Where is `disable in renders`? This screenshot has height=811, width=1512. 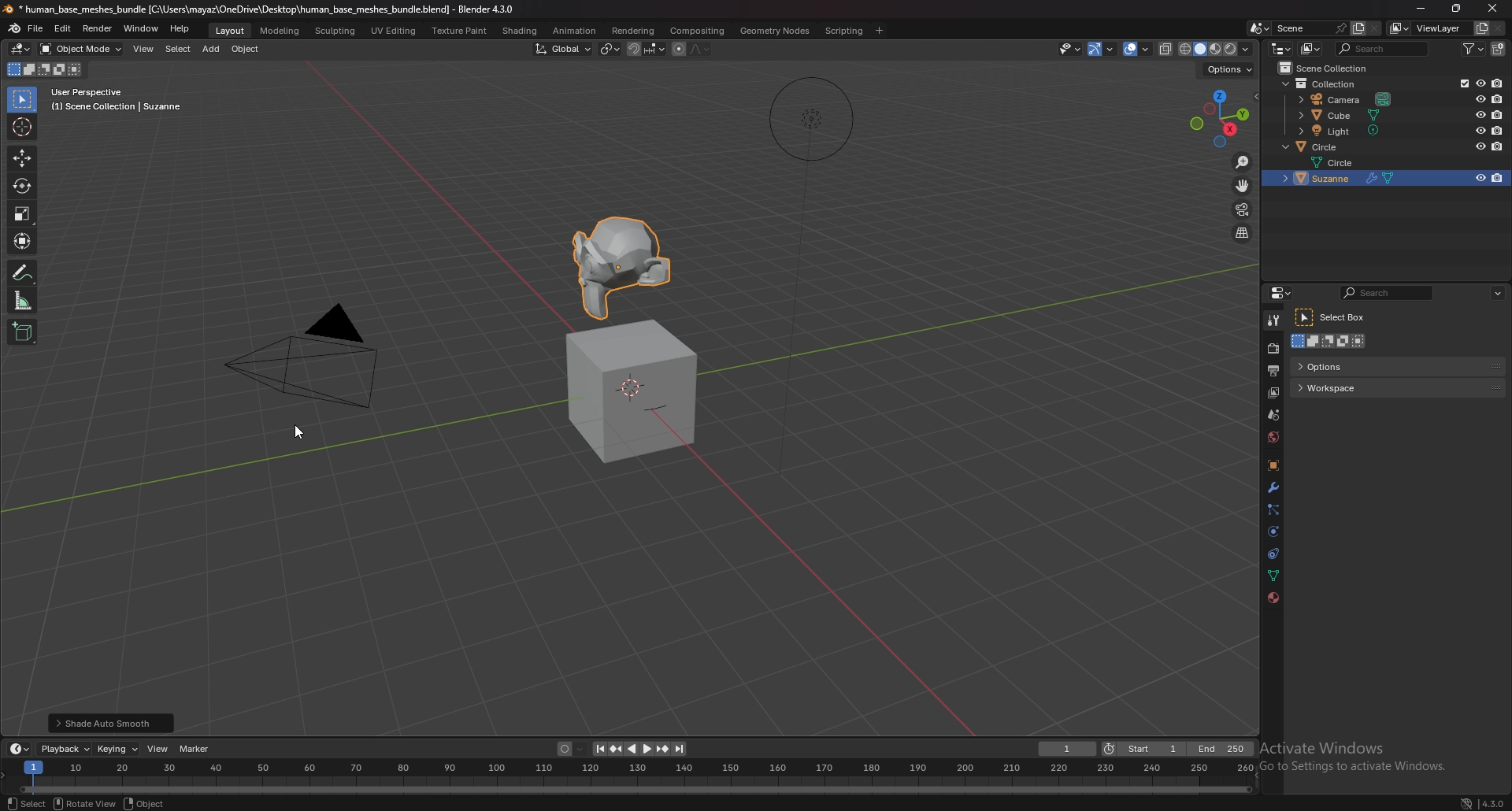
disable in renders is located at coordinates (1498, 130).